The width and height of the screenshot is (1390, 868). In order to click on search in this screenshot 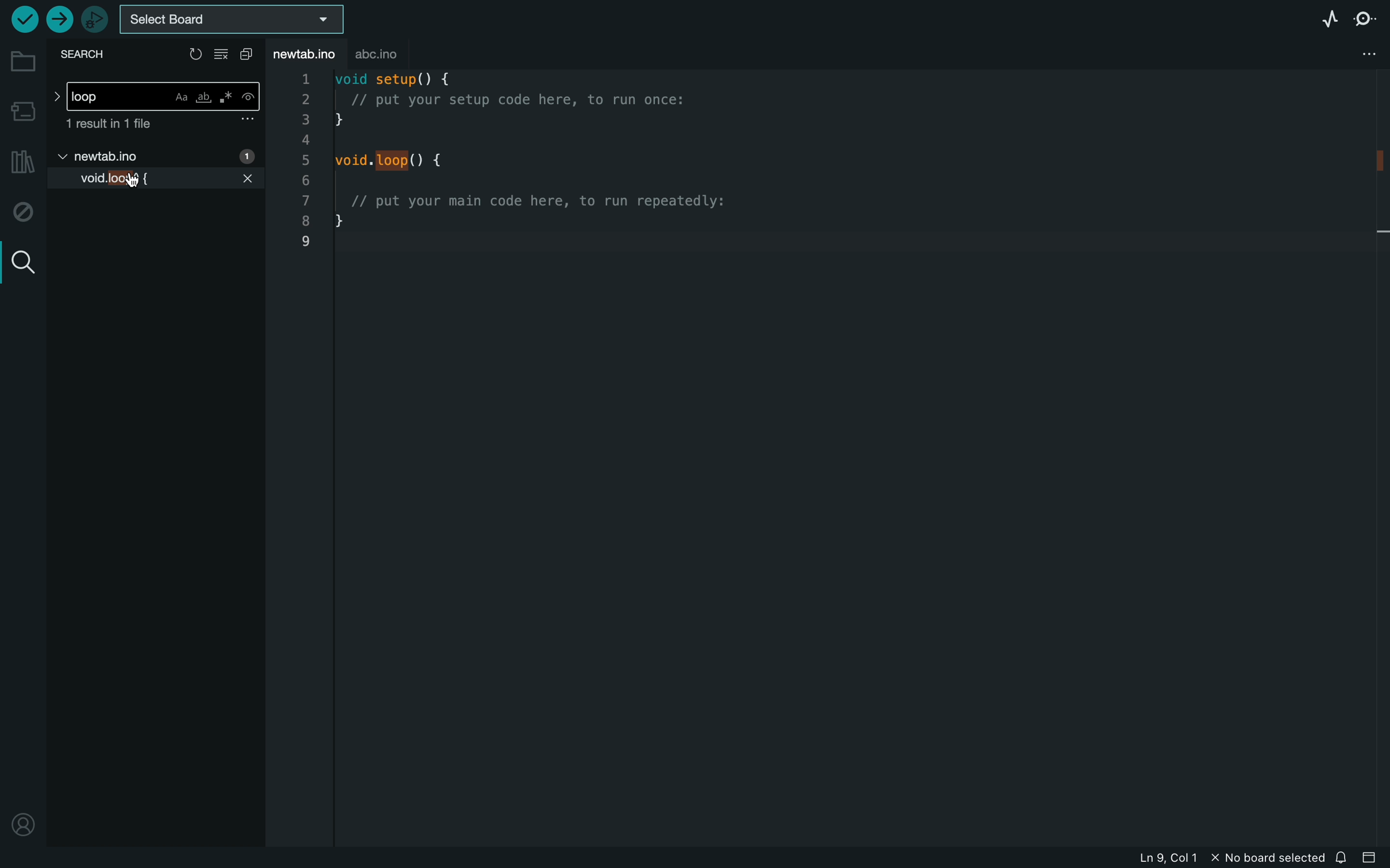, I will do `click(20, 260)`.